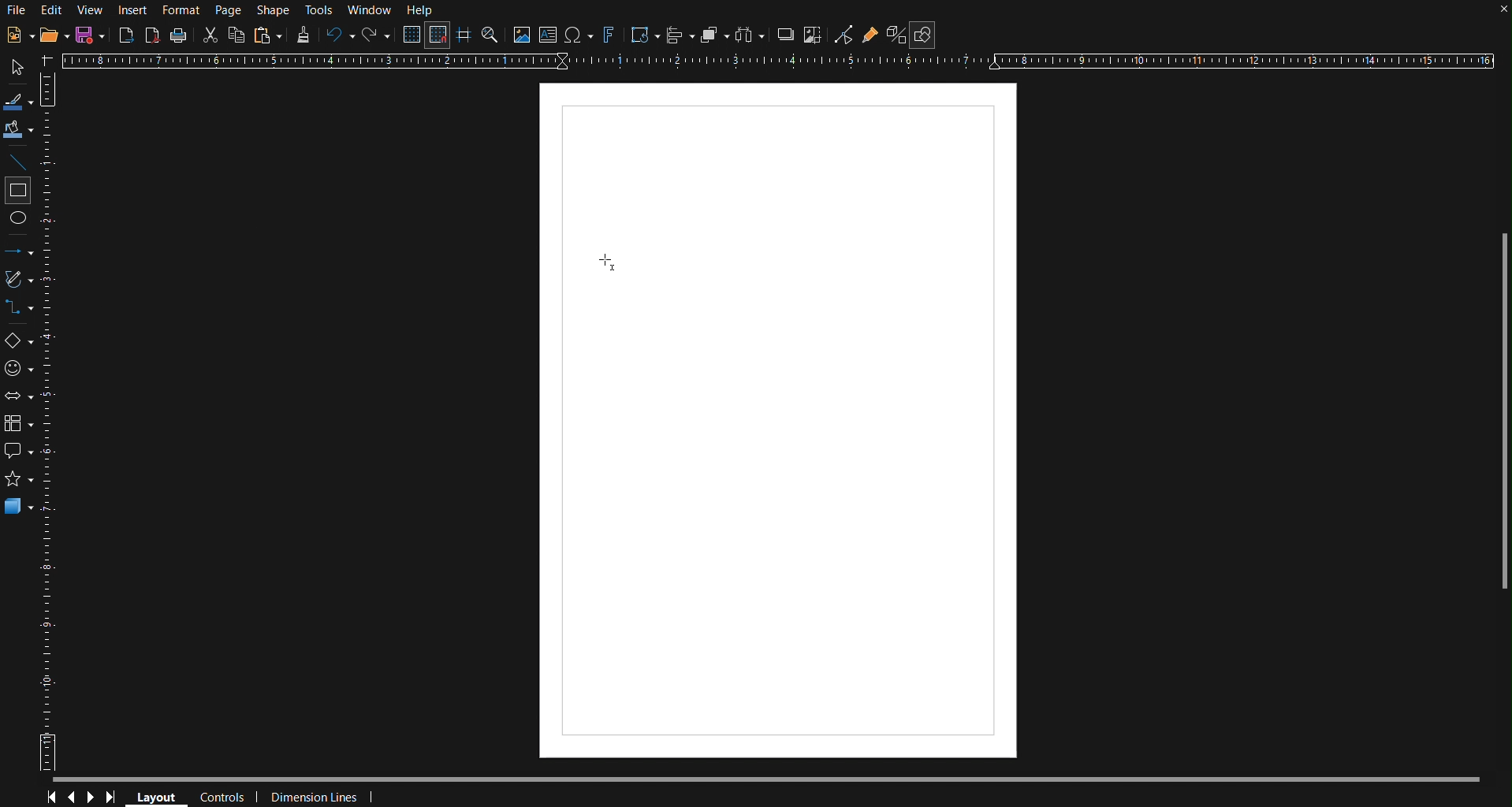  What do you see at coordinates (20, 222) in the screenshot?
I see `Ellipse` at bounding box center [20, 222].